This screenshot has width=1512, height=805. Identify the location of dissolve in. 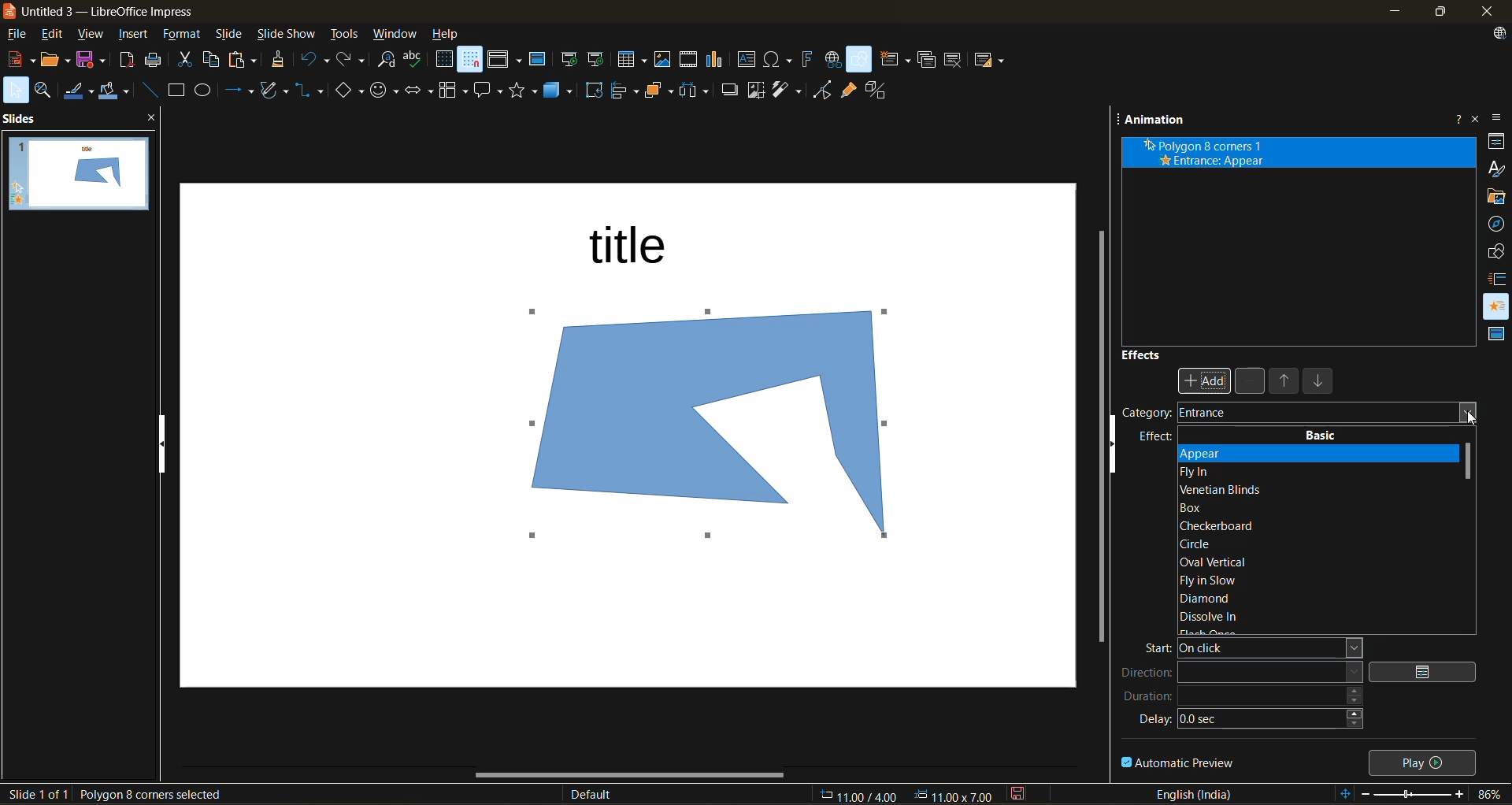
(1214, 617).